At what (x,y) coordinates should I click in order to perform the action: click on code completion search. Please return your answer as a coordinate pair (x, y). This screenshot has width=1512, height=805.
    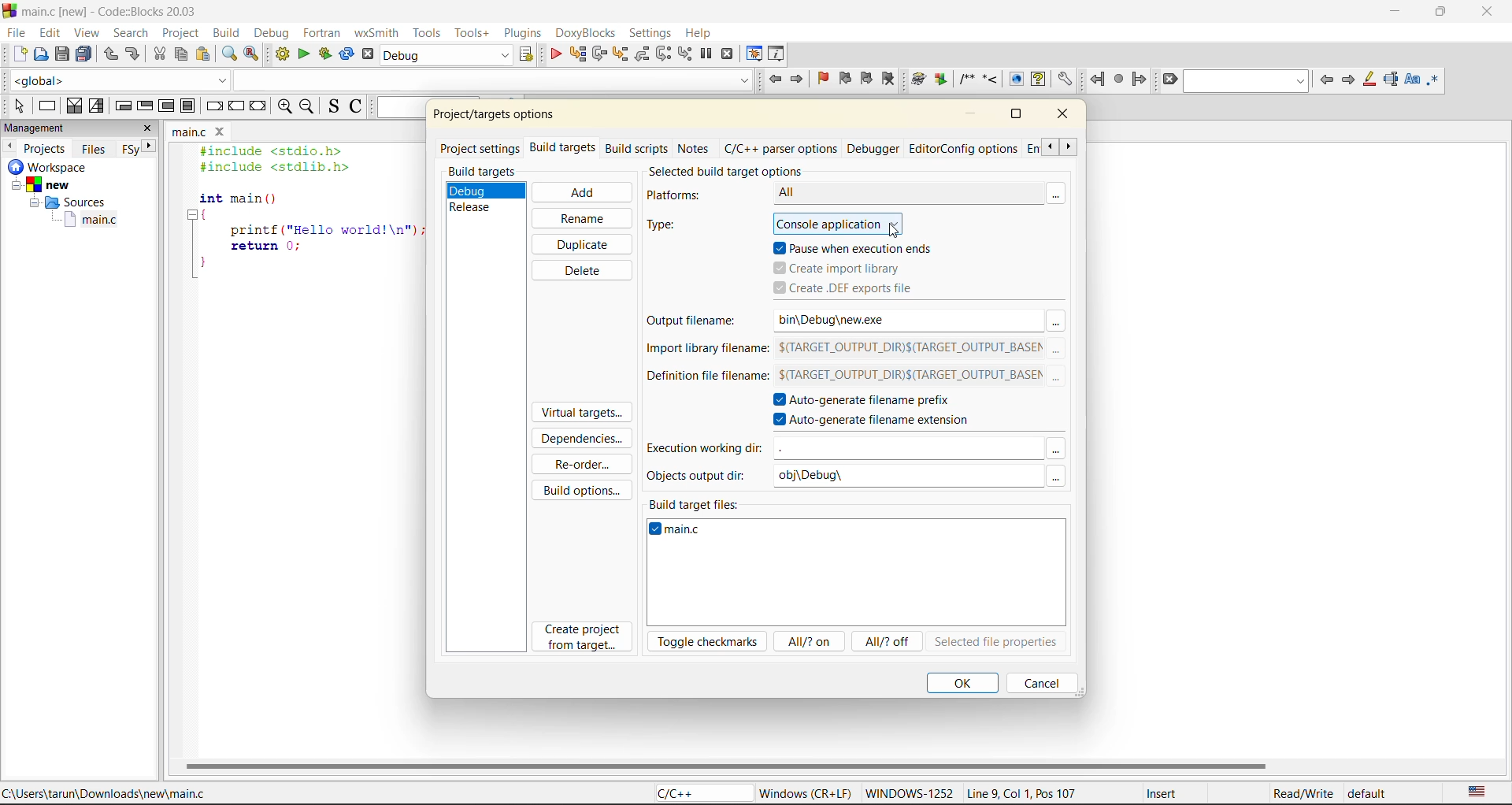
    Looking at the image, I should click on (493, 79).